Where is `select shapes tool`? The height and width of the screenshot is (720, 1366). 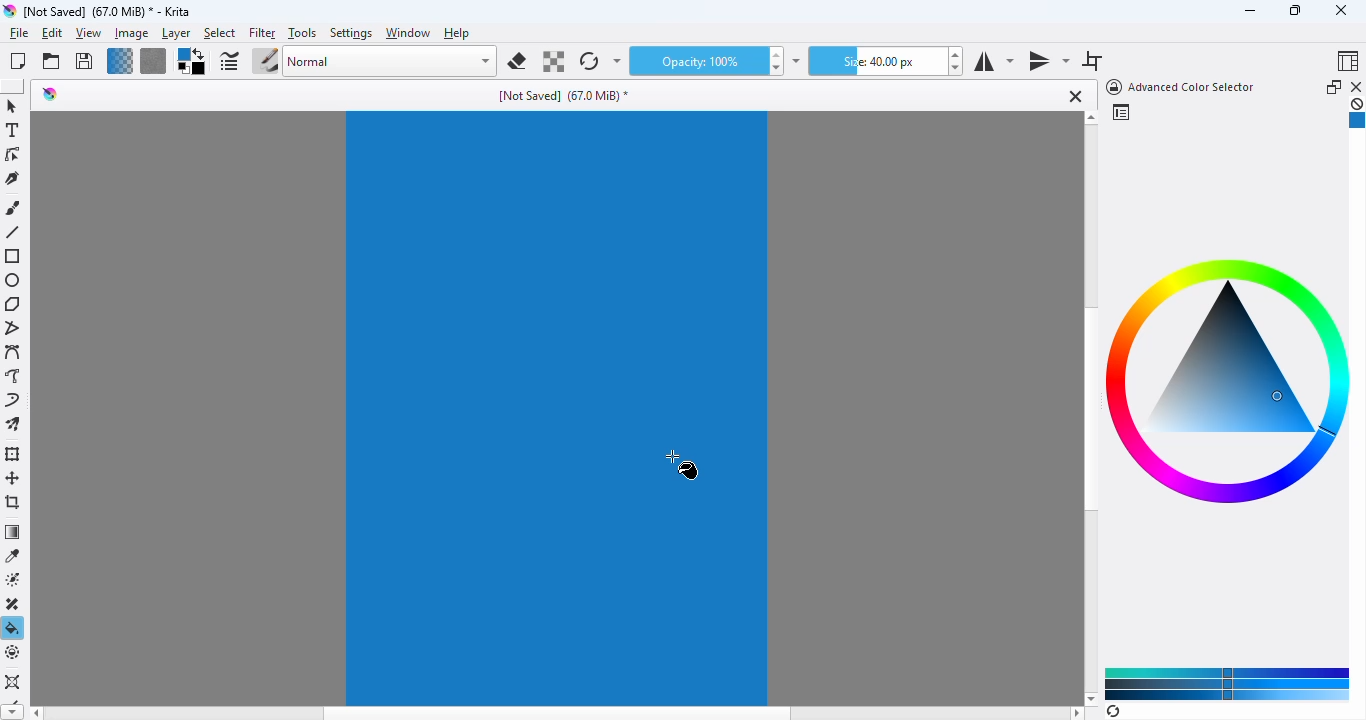
select shapes tool is located at coordinates (12, 106).